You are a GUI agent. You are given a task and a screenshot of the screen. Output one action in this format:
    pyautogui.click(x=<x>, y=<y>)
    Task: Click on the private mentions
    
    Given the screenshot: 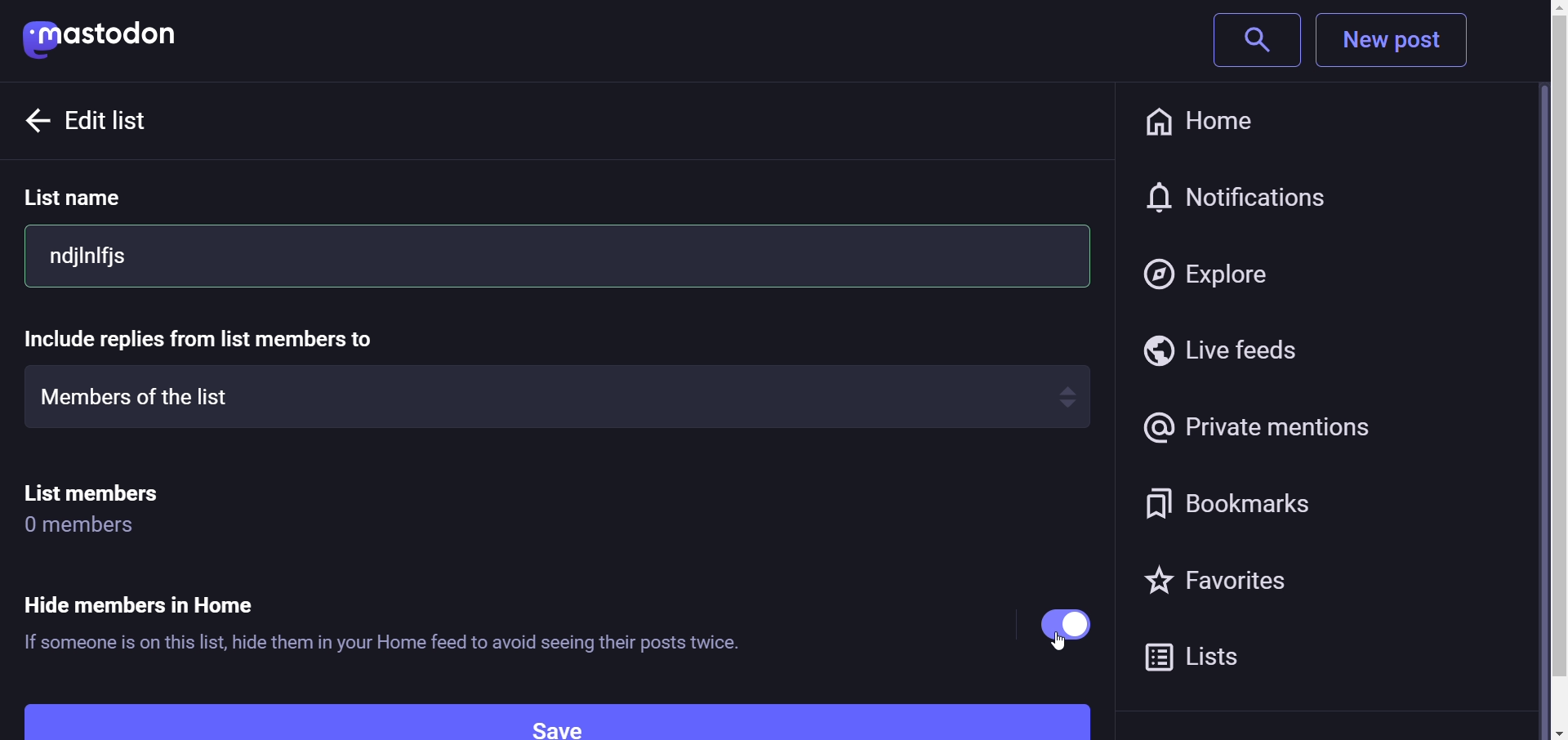 What is the action you would take?
    pyautogui.click(x=1267, y=426)
    